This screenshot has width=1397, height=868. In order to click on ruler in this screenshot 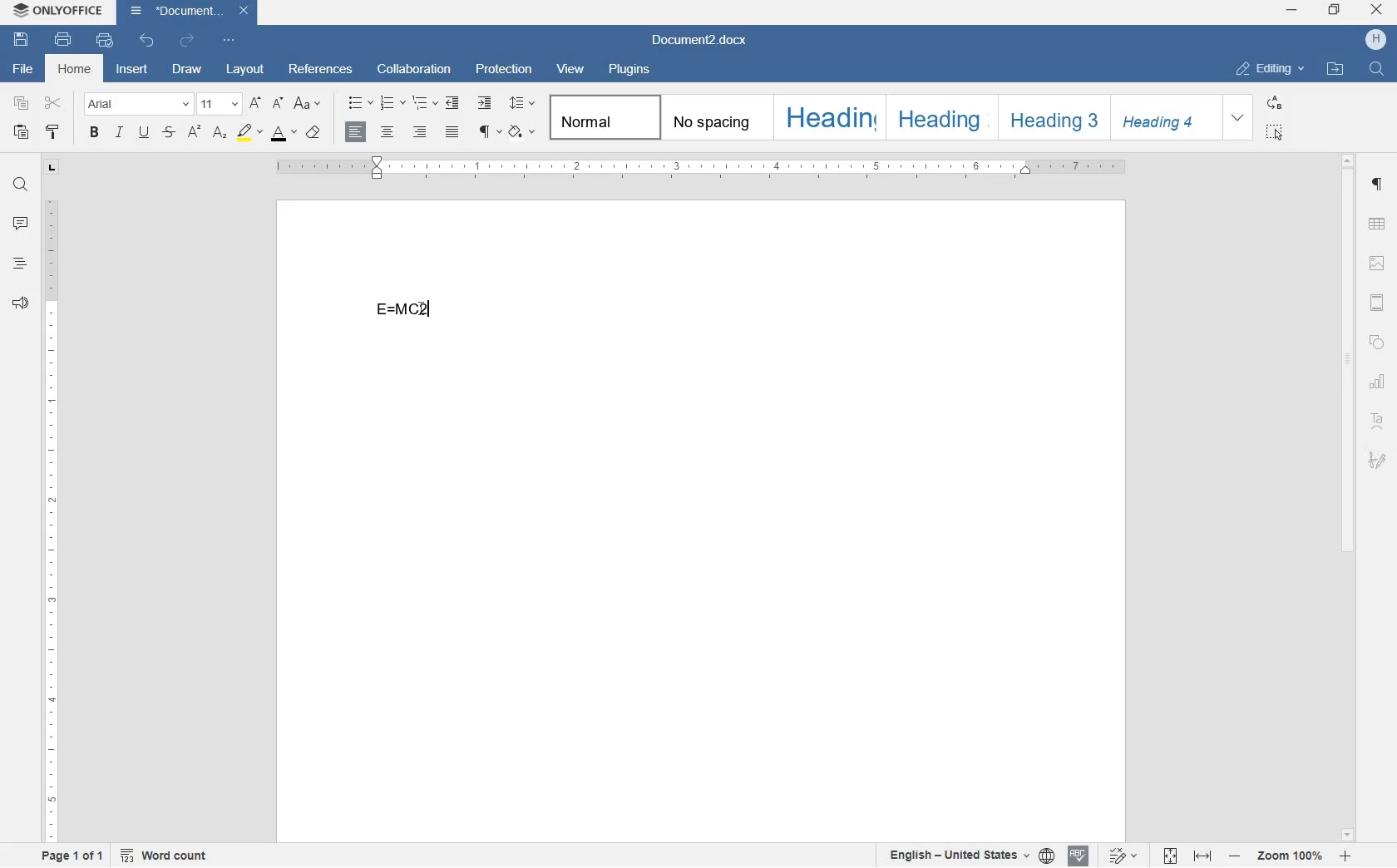, I will do `click(52, 519)`.